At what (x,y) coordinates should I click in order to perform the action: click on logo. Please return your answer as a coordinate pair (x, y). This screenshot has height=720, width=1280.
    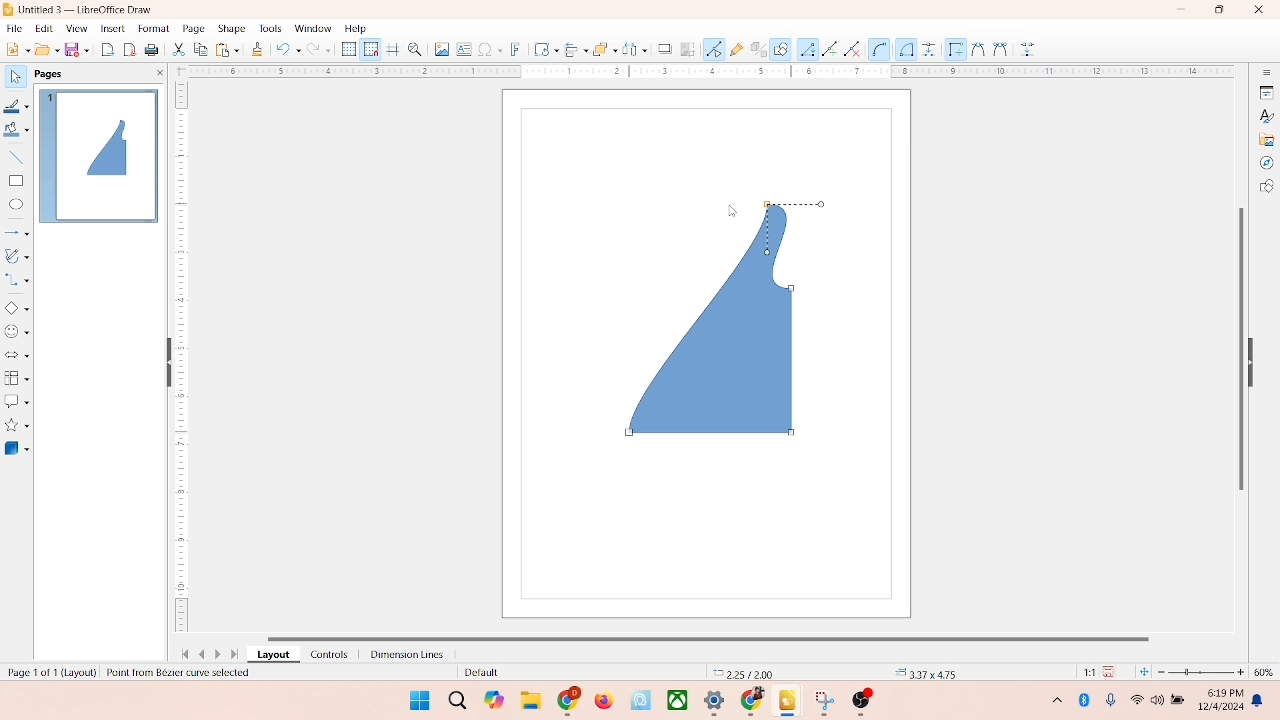
    Looking at the image, I should click on (9, 9).